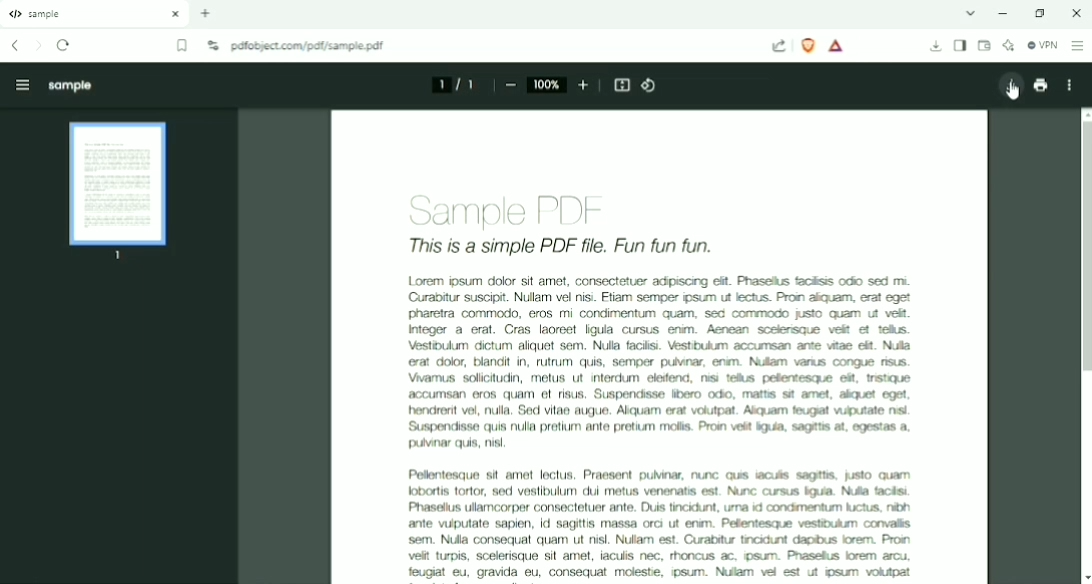 Image resolution: width=1092 pixels, height=584 pixels. I want to click on Rotate Counterclockwise, so click(650, 85).